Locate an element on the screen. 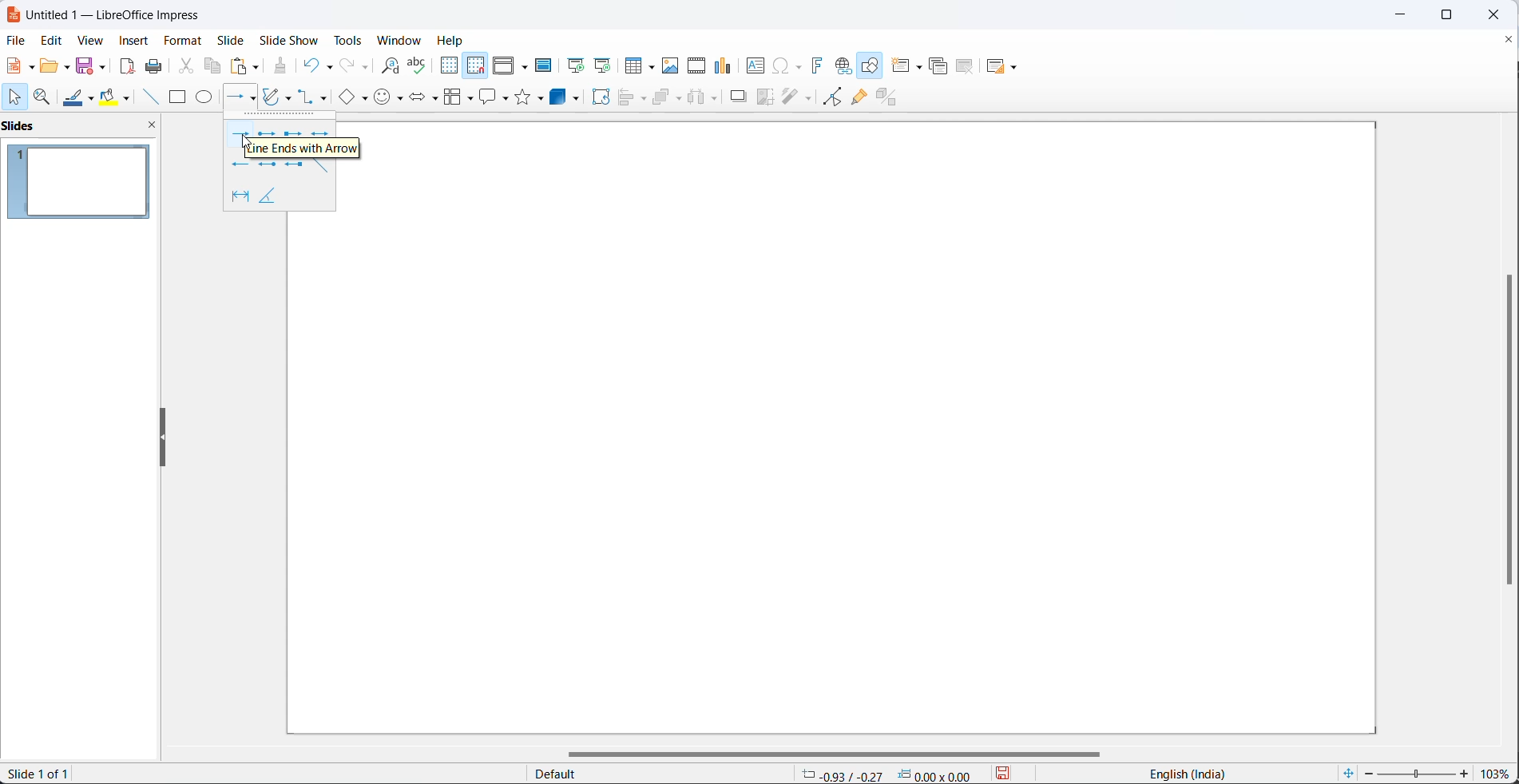 This screenshot has width=1519, height=784. fit slide to current window is located at coordinates (1346, 774).